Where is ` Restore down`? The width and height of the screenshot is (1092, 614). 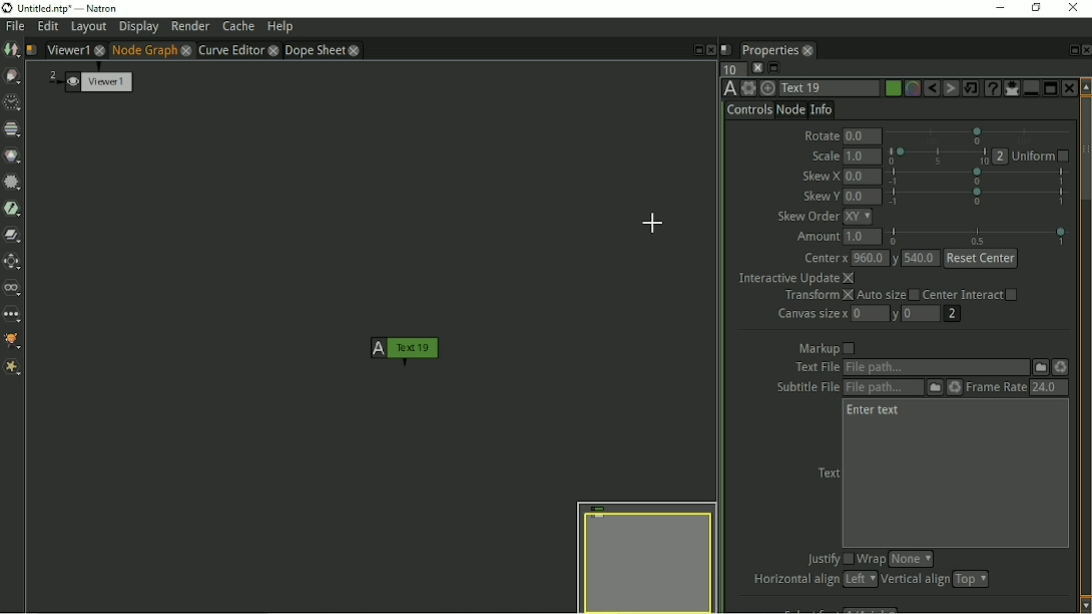  Restore down is located at coordinates (1036, 8).